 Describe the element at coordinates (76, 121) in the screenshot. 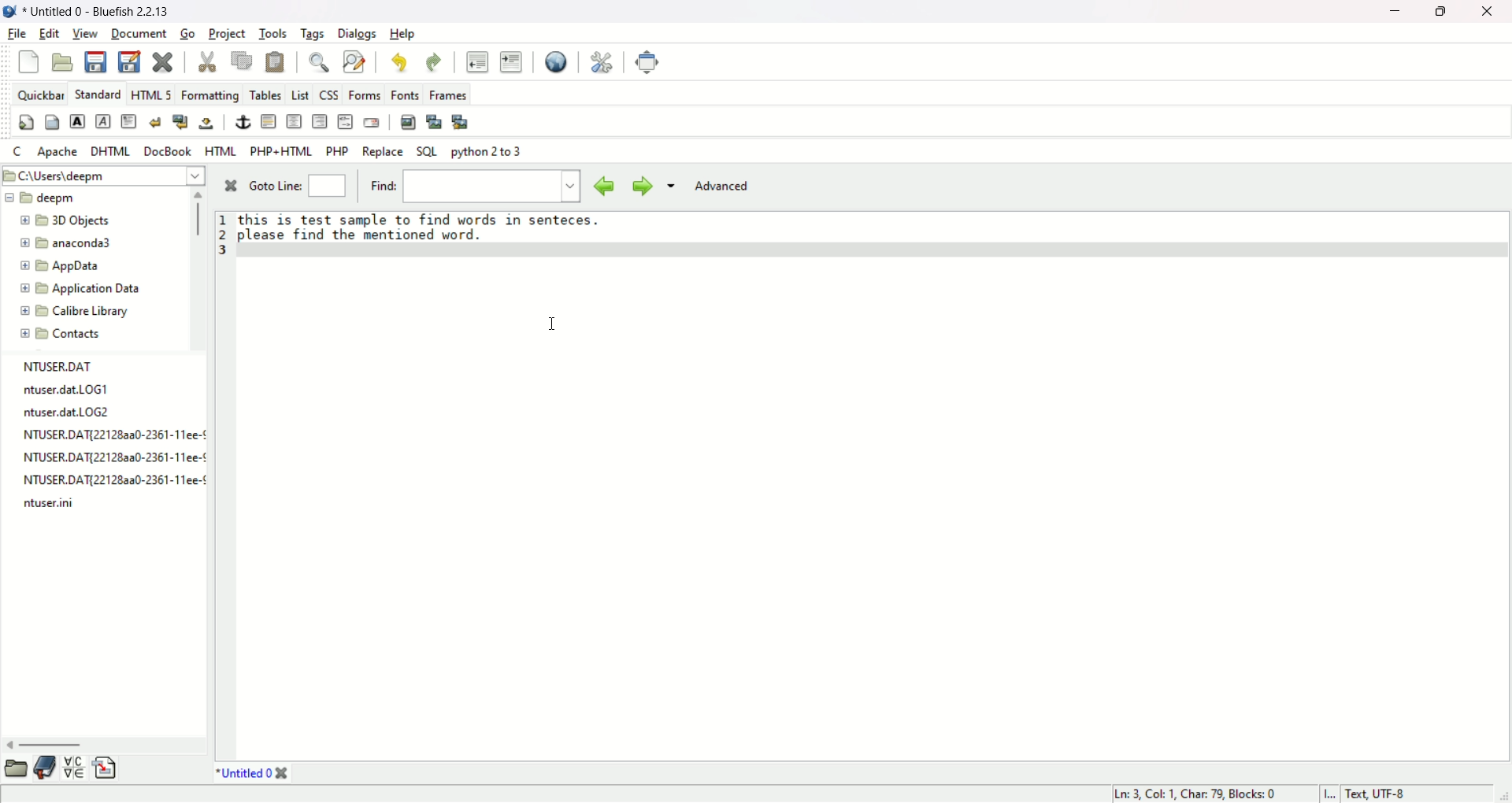

I see `strong` at that location.